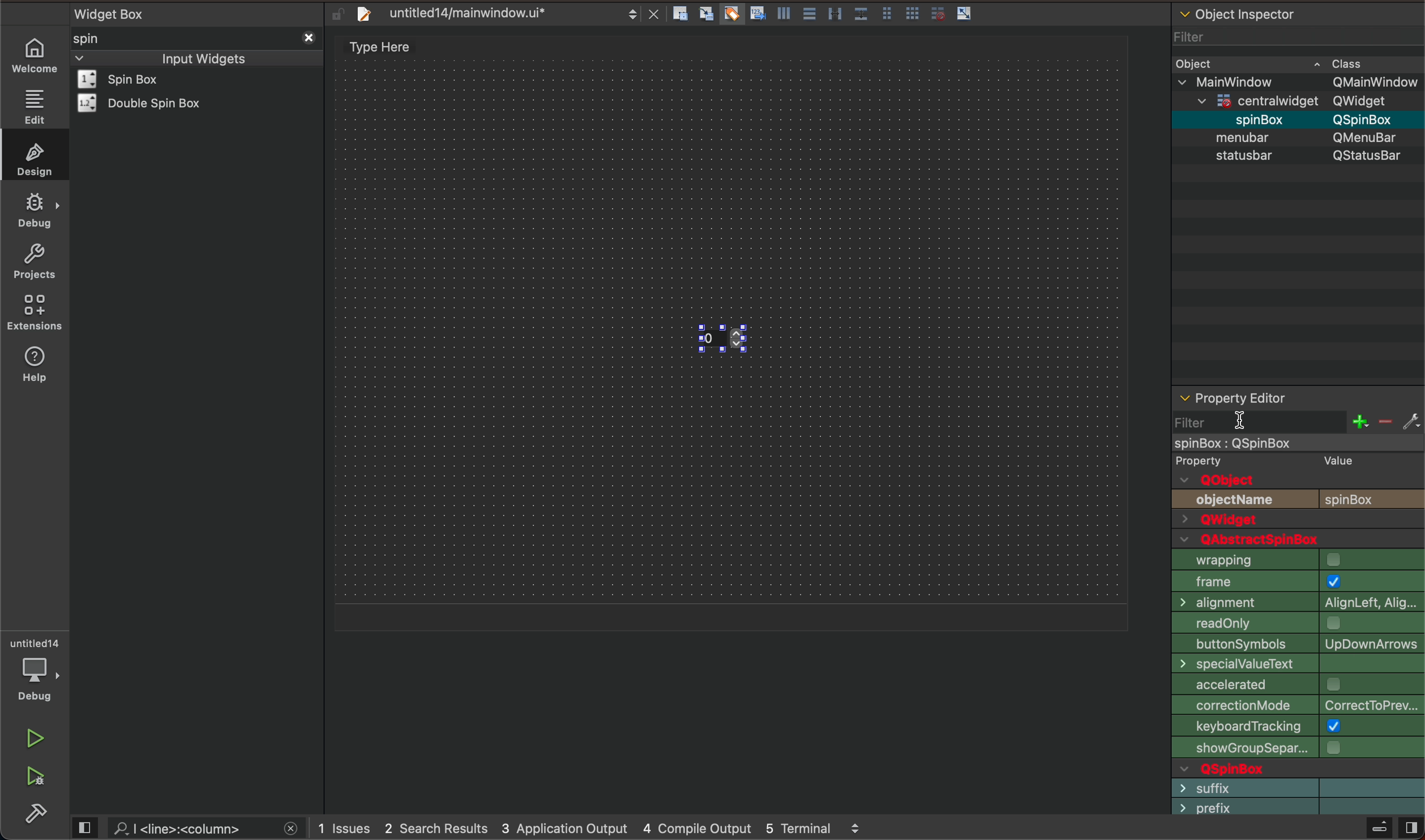  What do you see at coordinates (1349, 62) in the screenshot?
I see `class` at bounding box center [1349, 62].